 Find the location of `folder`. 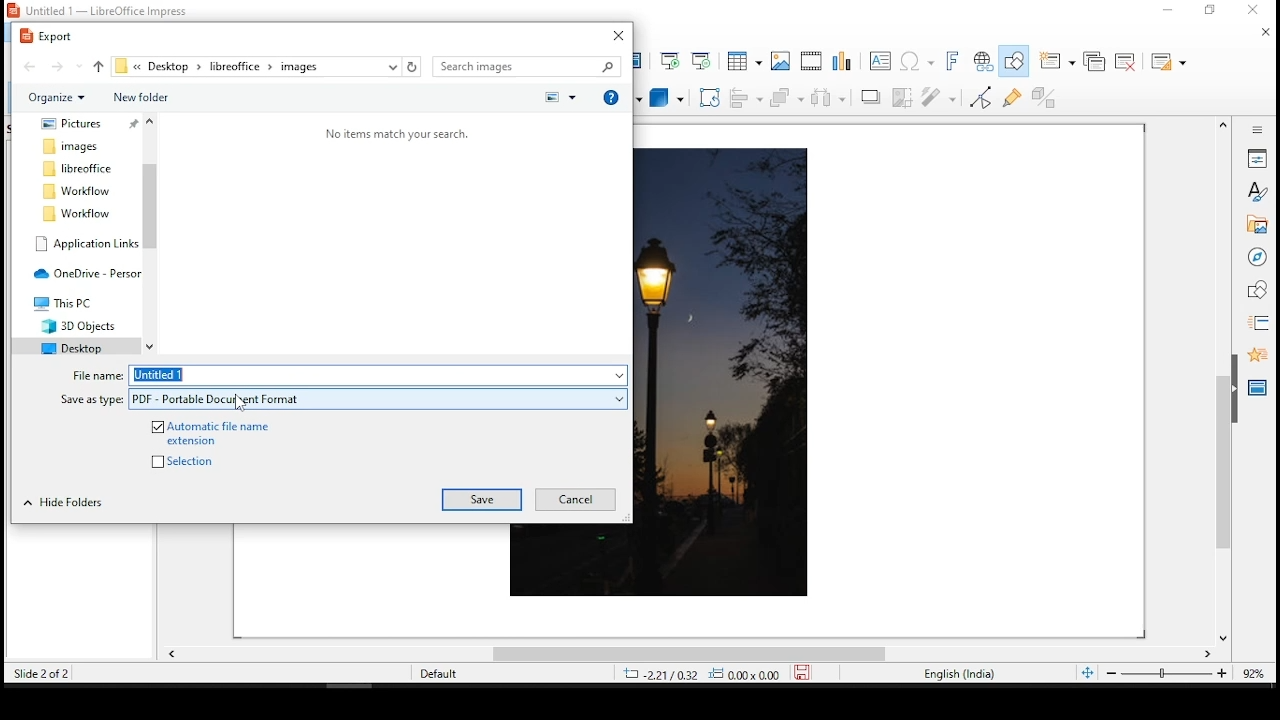

folder is located at coordinates (86, 243).